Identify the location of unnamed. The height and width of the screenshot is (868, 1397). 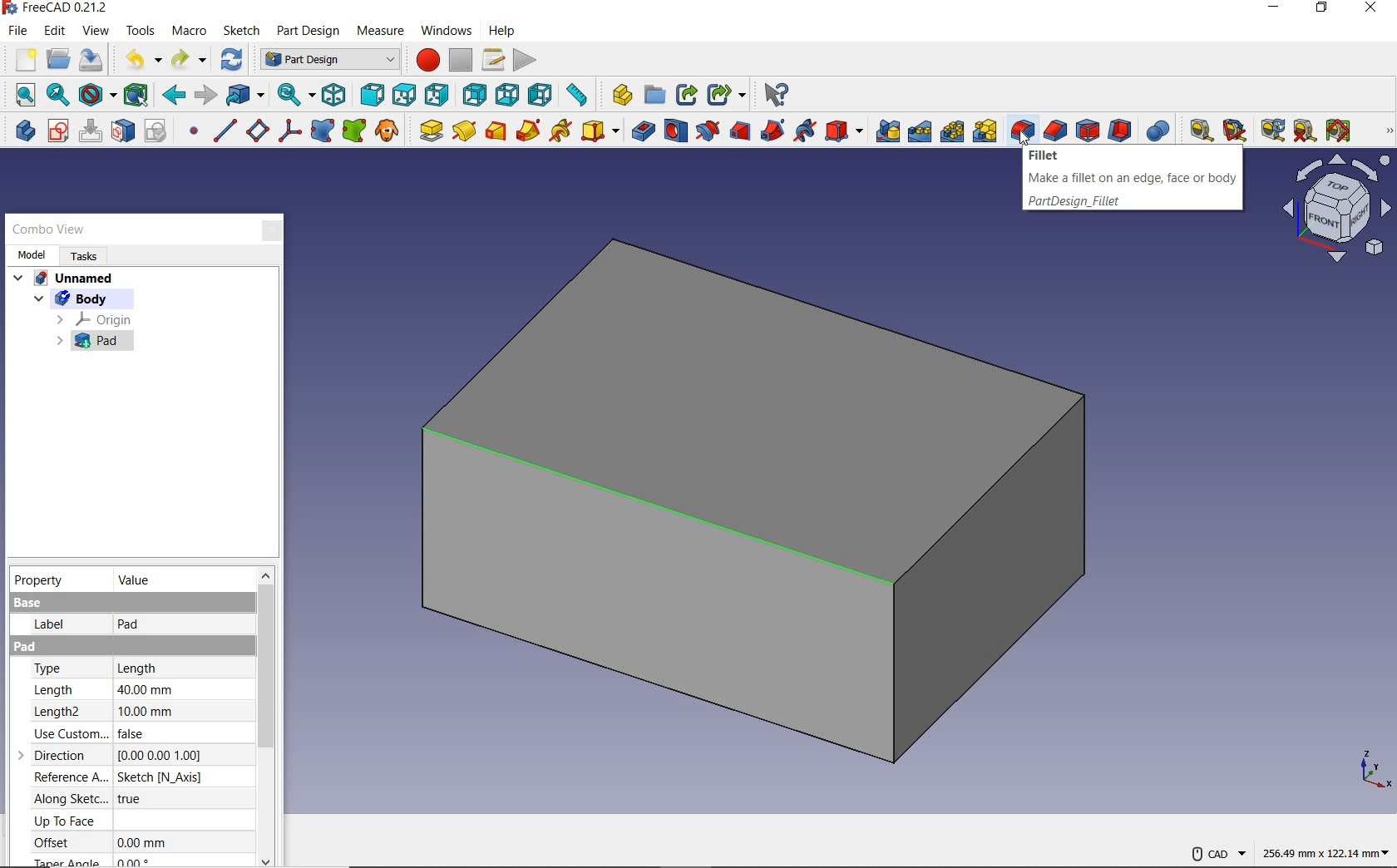
(65, 278).